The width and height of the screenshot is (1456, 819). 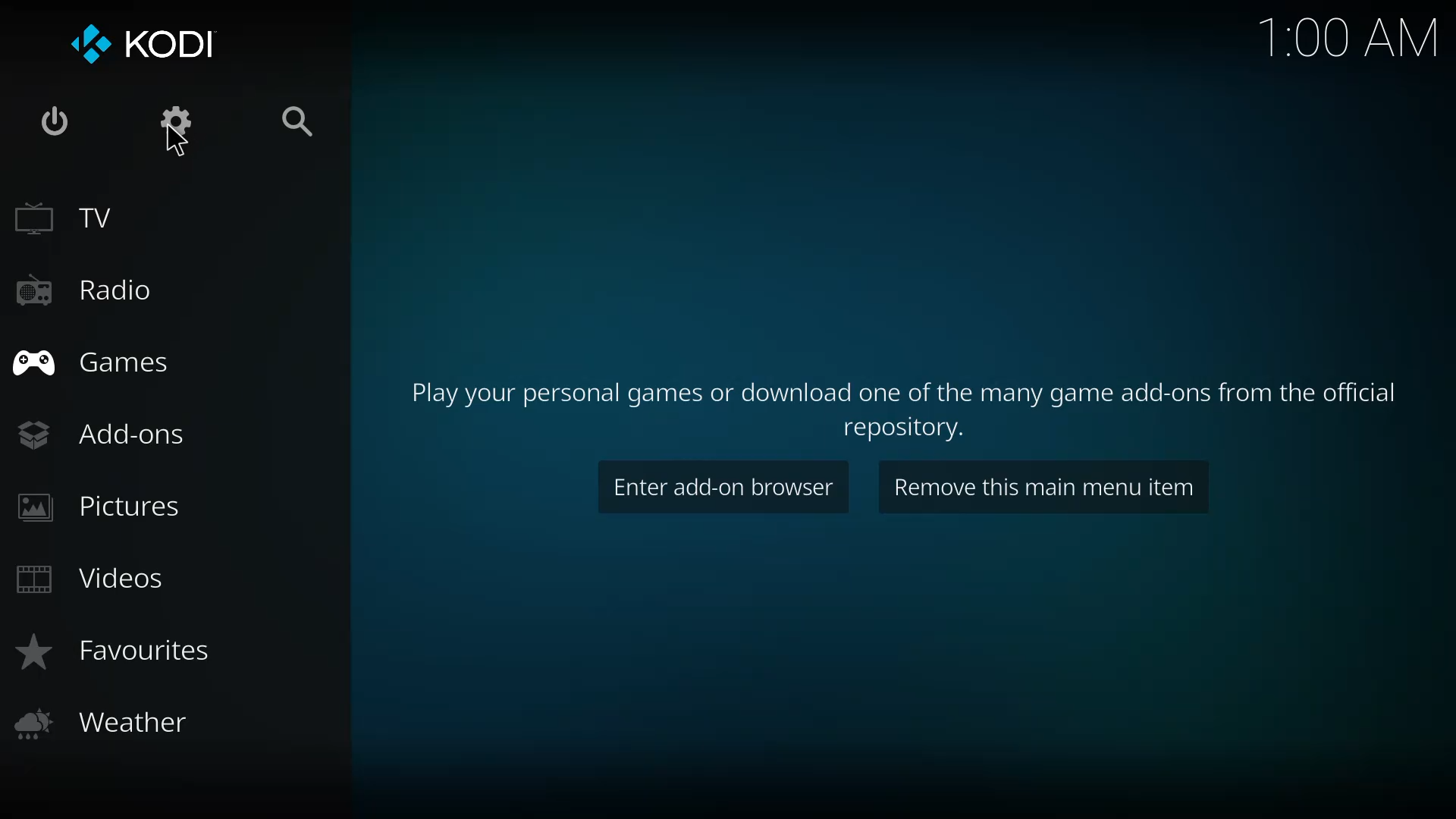 What do you see at coordinates (55, 122) in the screenshot?
I see `power` at bounding box center [55, 122].